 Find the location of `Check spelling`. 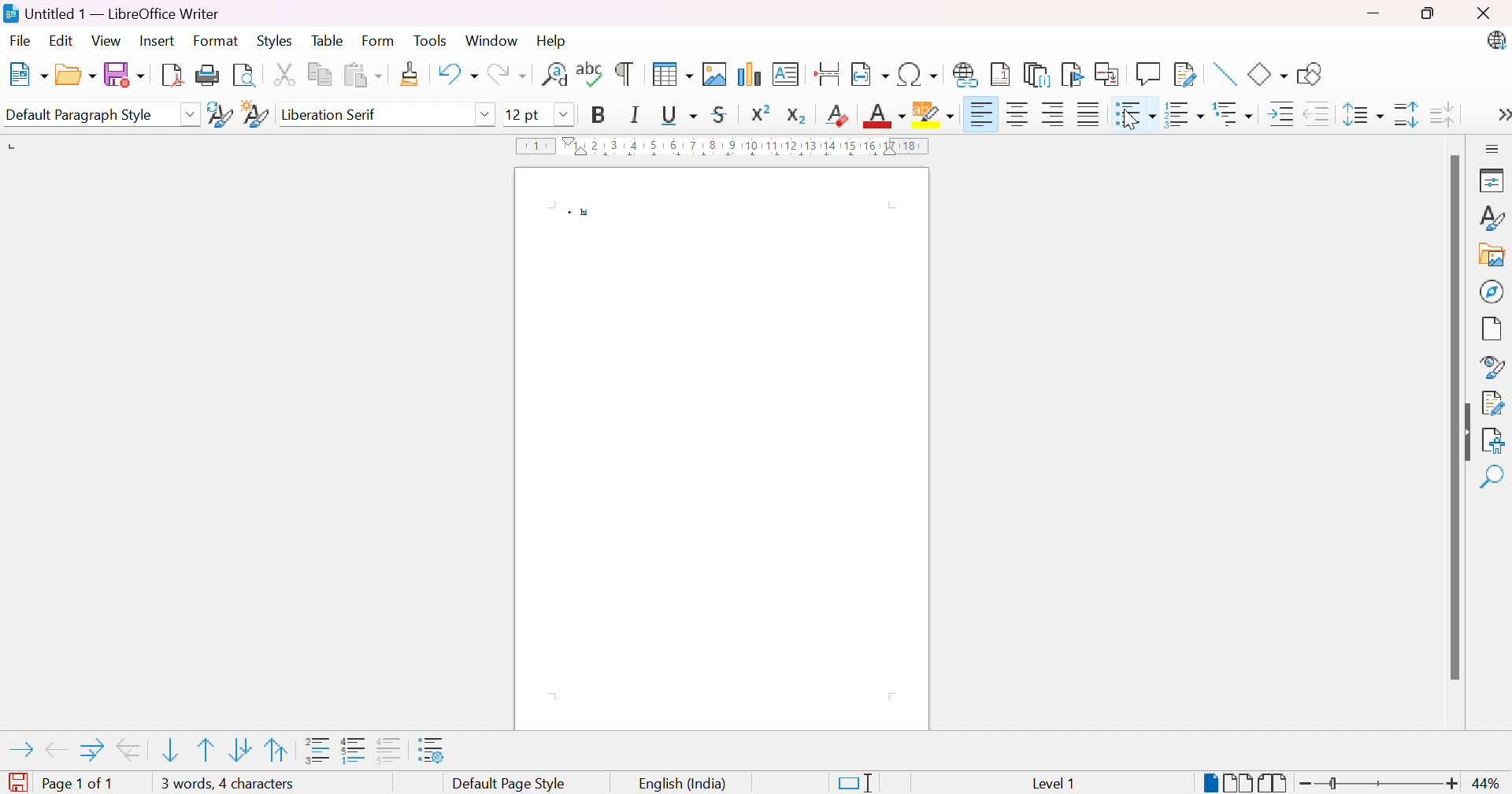

Check spelling is located at coordinates (591, 72).